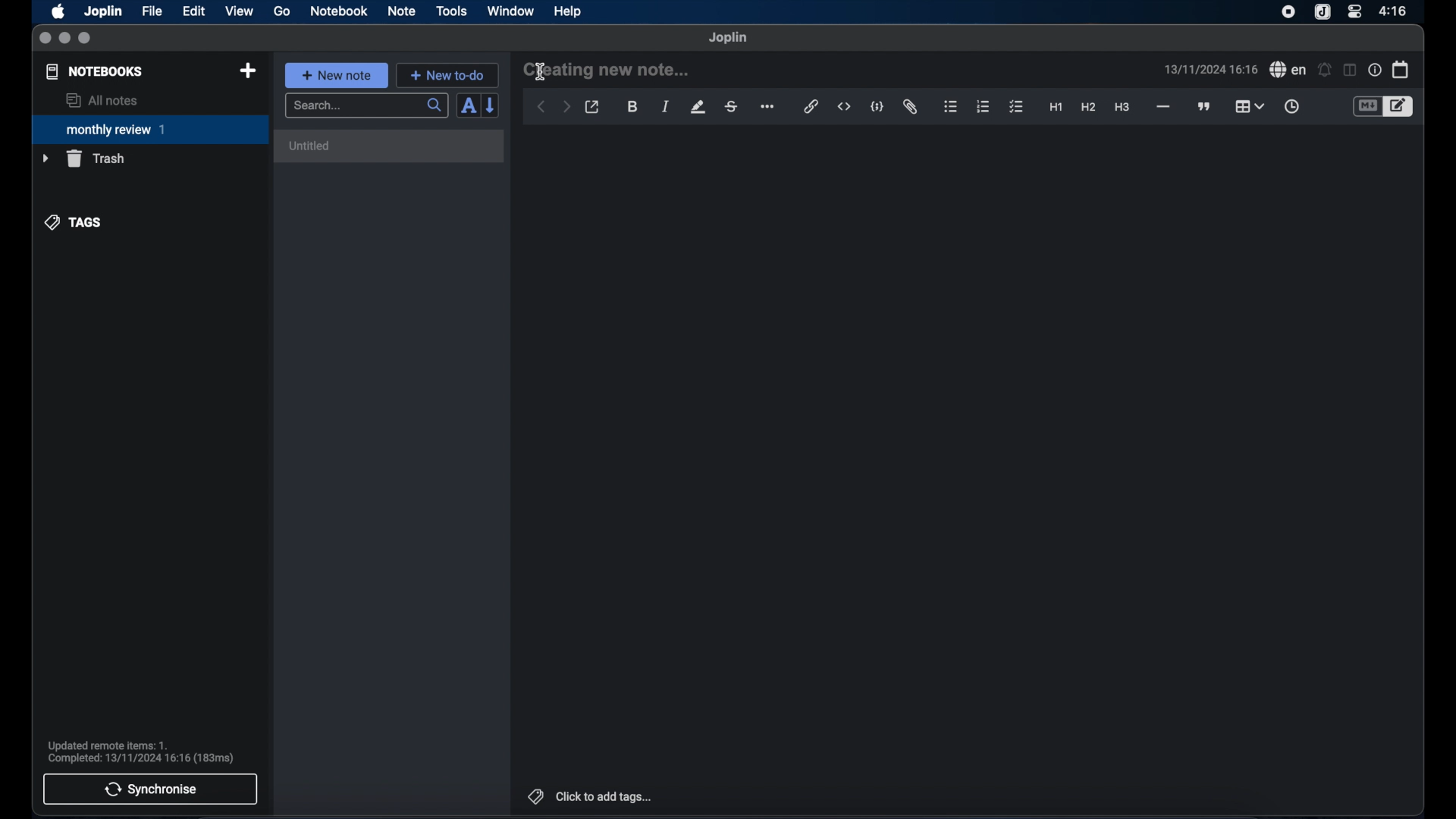 The width and height of the screenshot is (1456, 819). What do you see at coordinates (86, 39) in the screenshot?
I see `maximize` at bounding box center [86, 39].